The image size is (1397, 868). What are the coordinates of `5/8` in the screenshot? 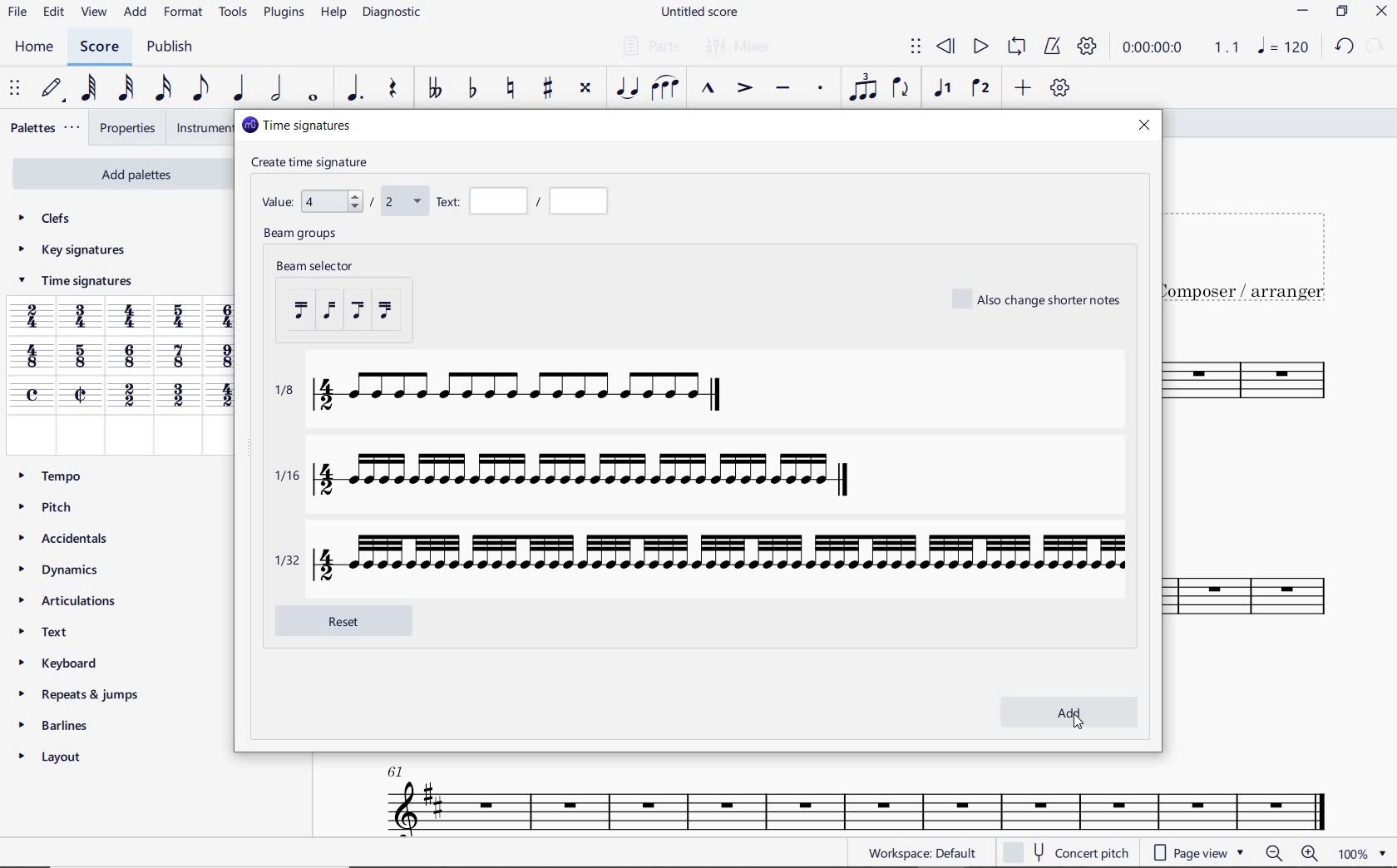 It's located at (79, 358).